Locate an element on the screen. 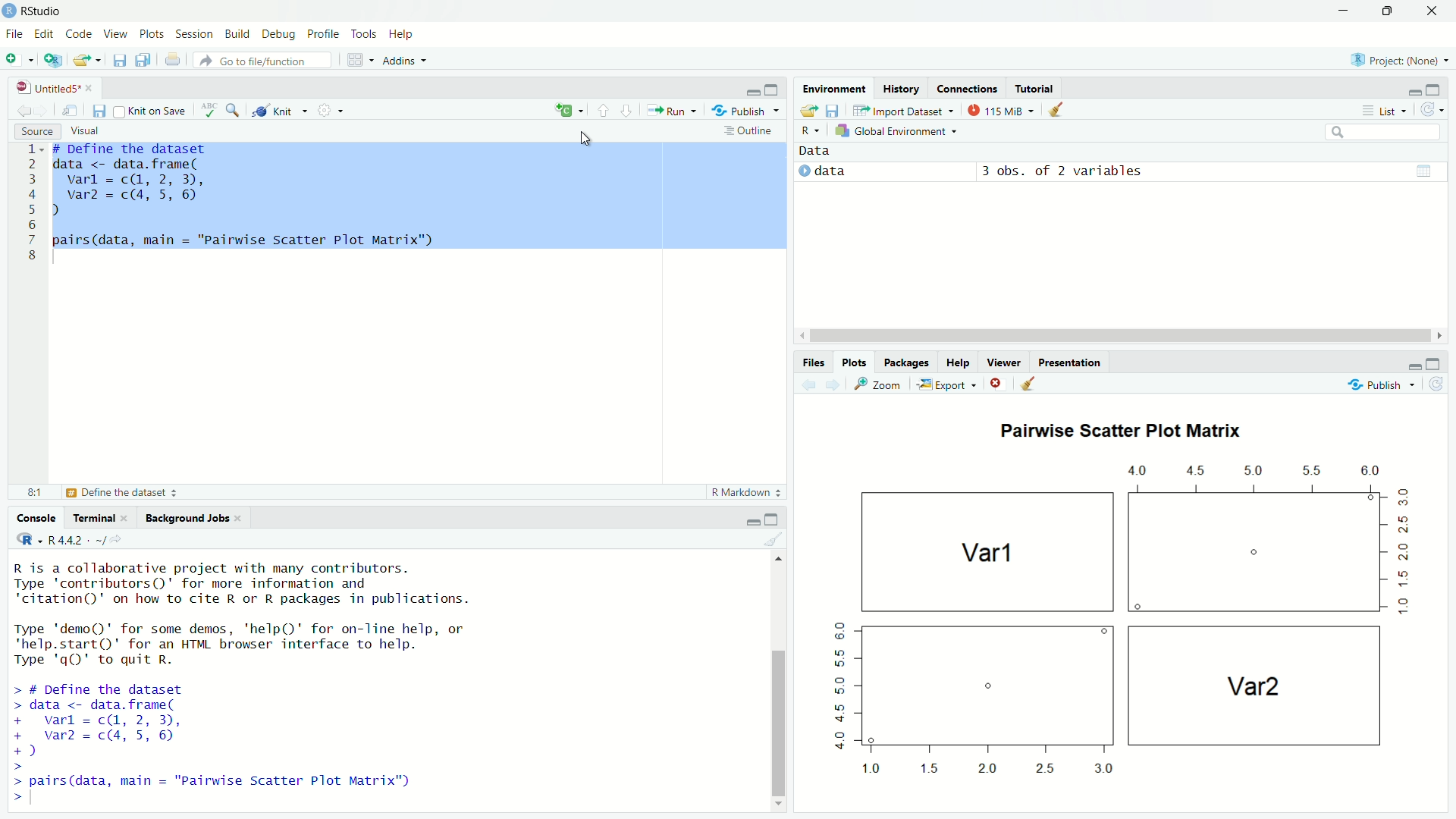 This screenshot has width=1456, height=819. Minimize is located at coordinates (1344, 9).